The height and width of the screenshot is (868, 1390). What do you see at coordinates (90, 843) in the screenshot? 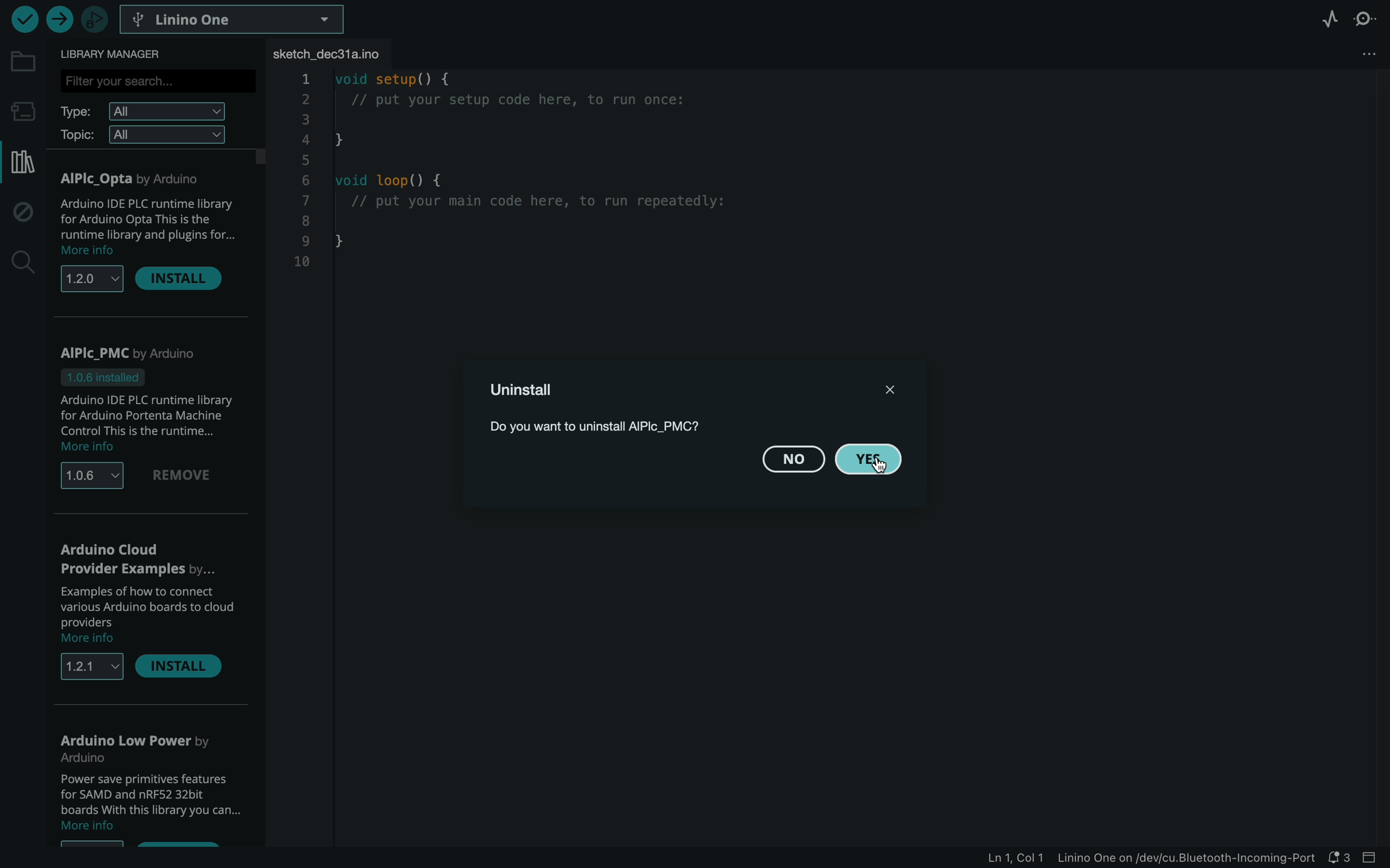
I see `options` at bounding box center [90, 843].